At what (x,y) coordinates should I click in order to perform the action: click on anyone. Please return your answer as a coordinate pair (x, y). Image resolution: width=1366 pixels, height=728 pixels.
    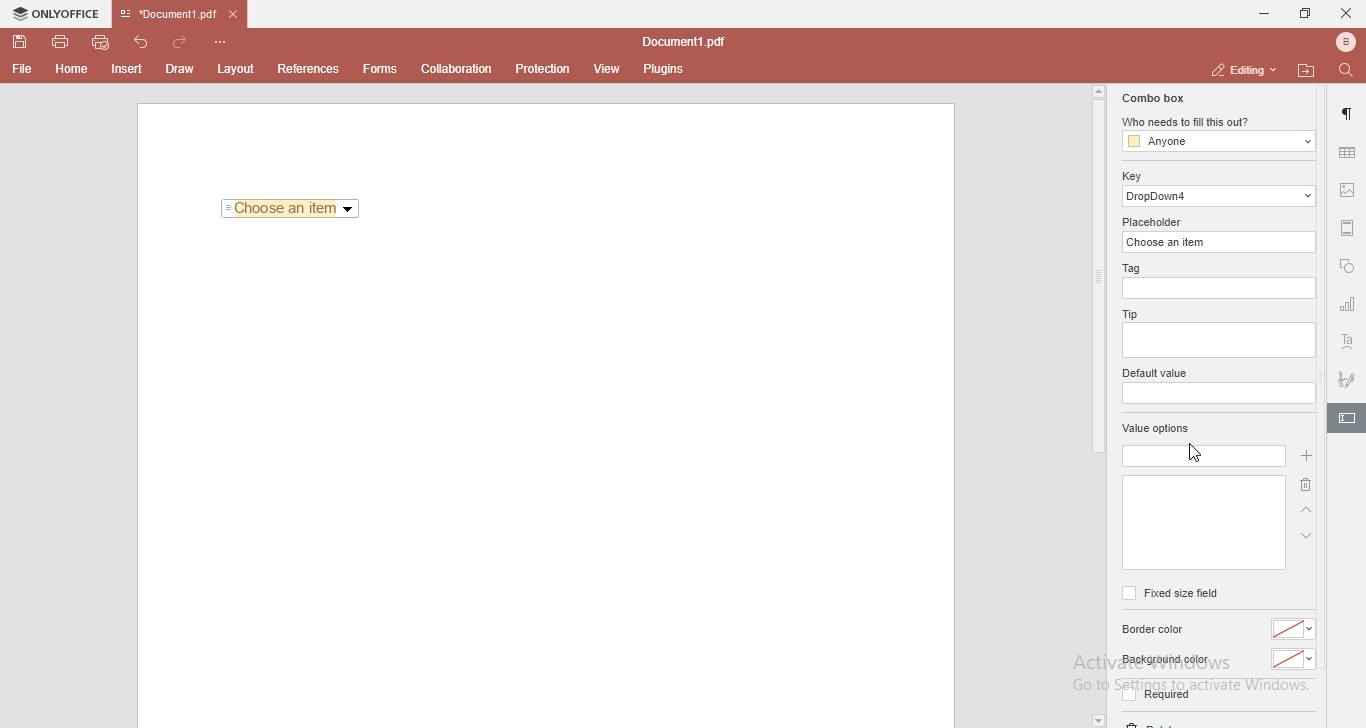
    Looking at the image, I should click on (1217, 142).